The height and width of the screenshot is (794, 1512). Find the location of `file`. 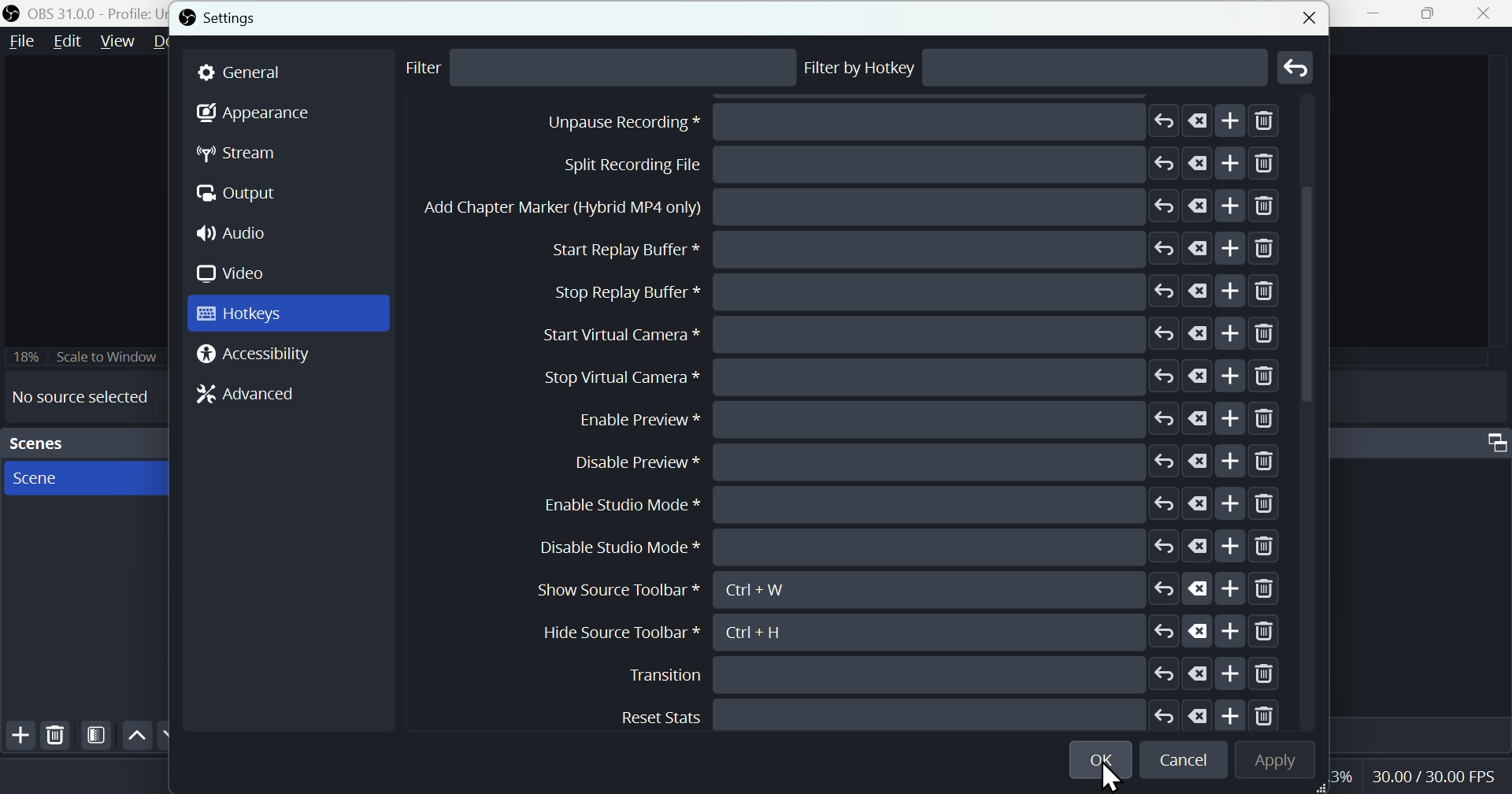

file is located at coordinates (23, 42).